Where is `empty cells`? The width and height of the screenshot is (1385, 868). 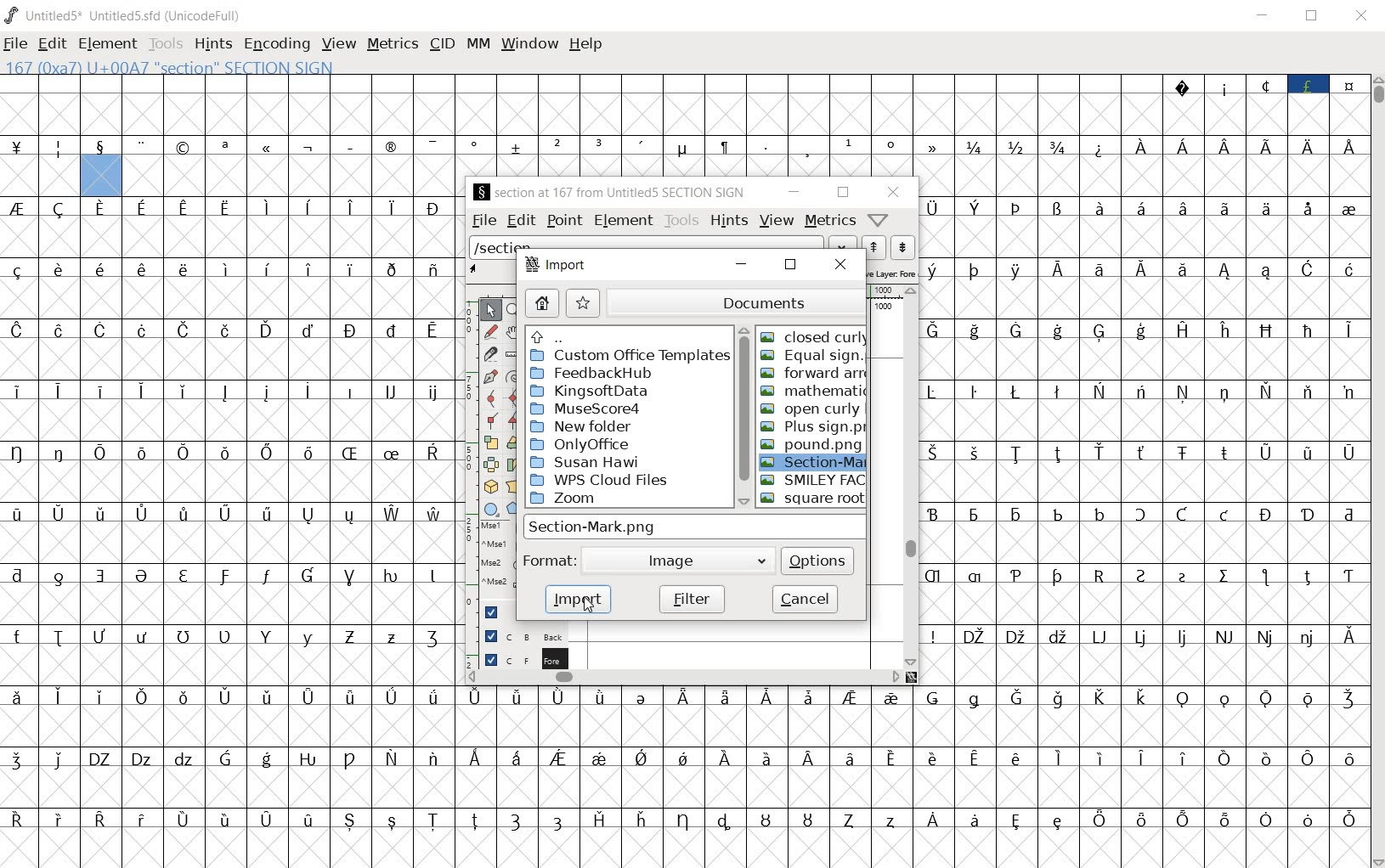
empty cells is located at coordinates (686, 786).